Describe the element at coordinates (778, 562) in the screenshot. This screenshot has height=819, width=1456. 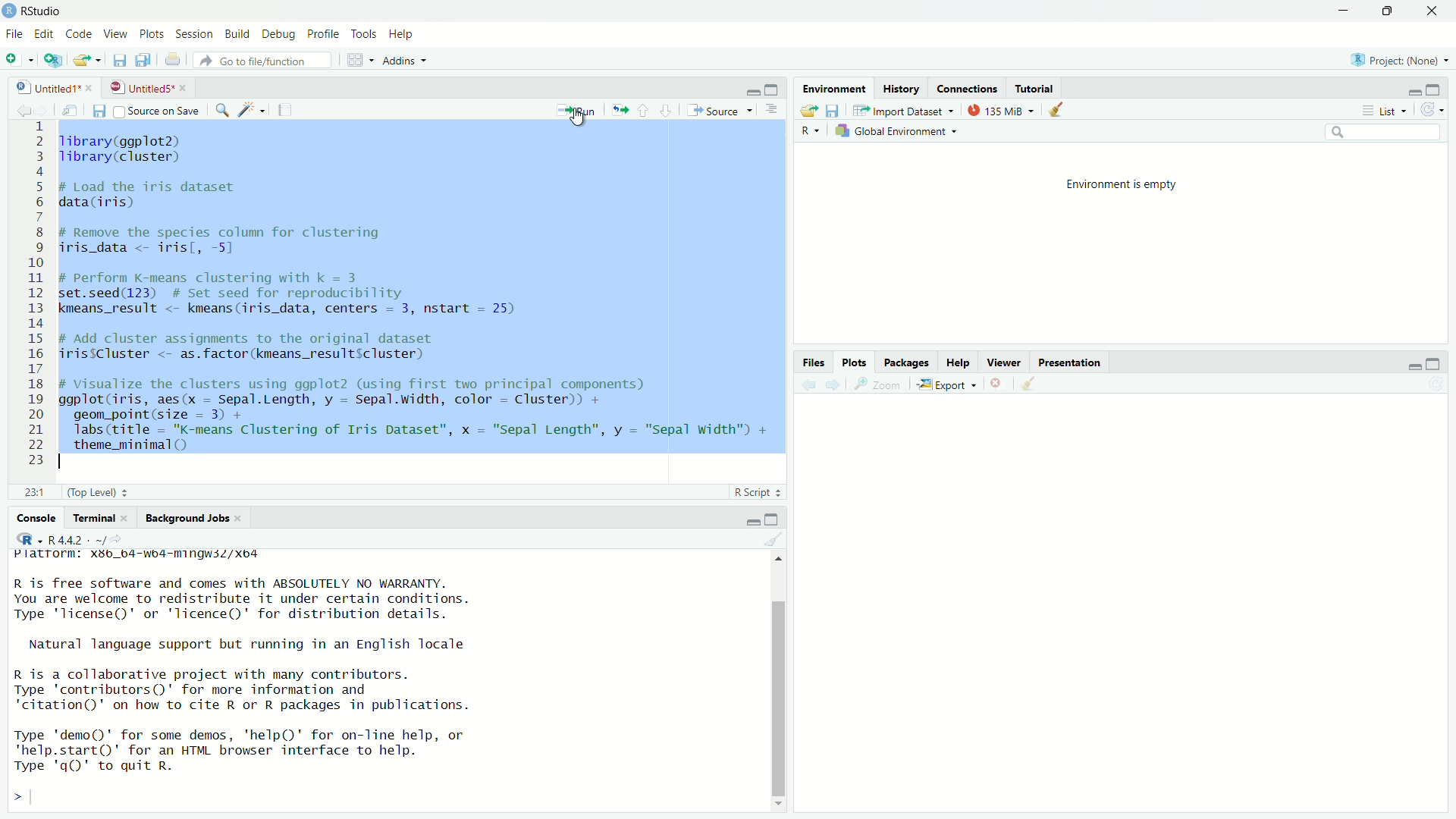
I see `move  top` at that location.